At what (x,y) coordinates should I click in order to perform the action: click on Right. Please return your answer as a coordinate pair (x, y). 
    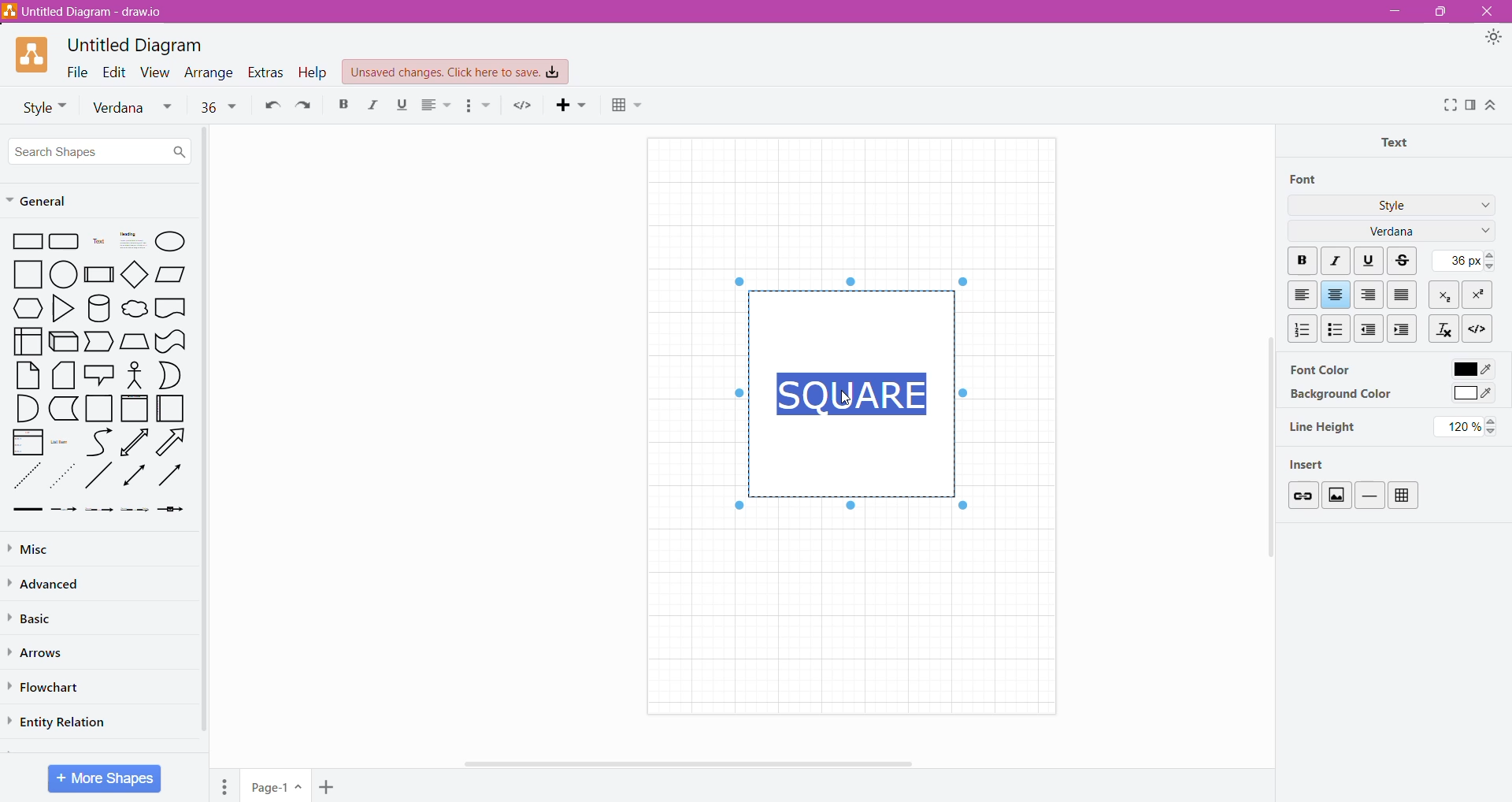
    Looking at the image, I should click on (1370, 295).